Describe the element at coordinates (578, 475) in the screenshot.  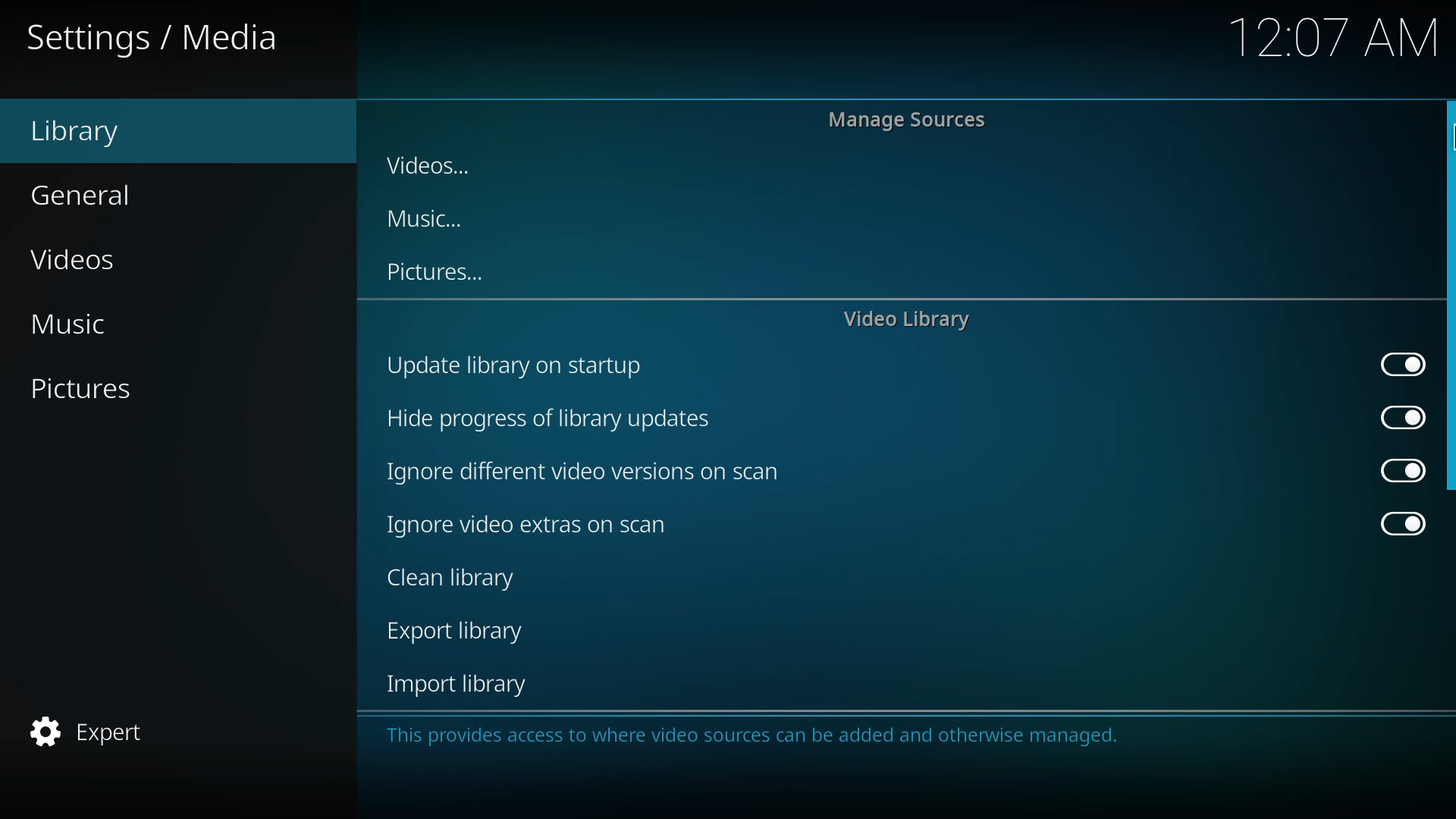
I see `hide progress` at that location.